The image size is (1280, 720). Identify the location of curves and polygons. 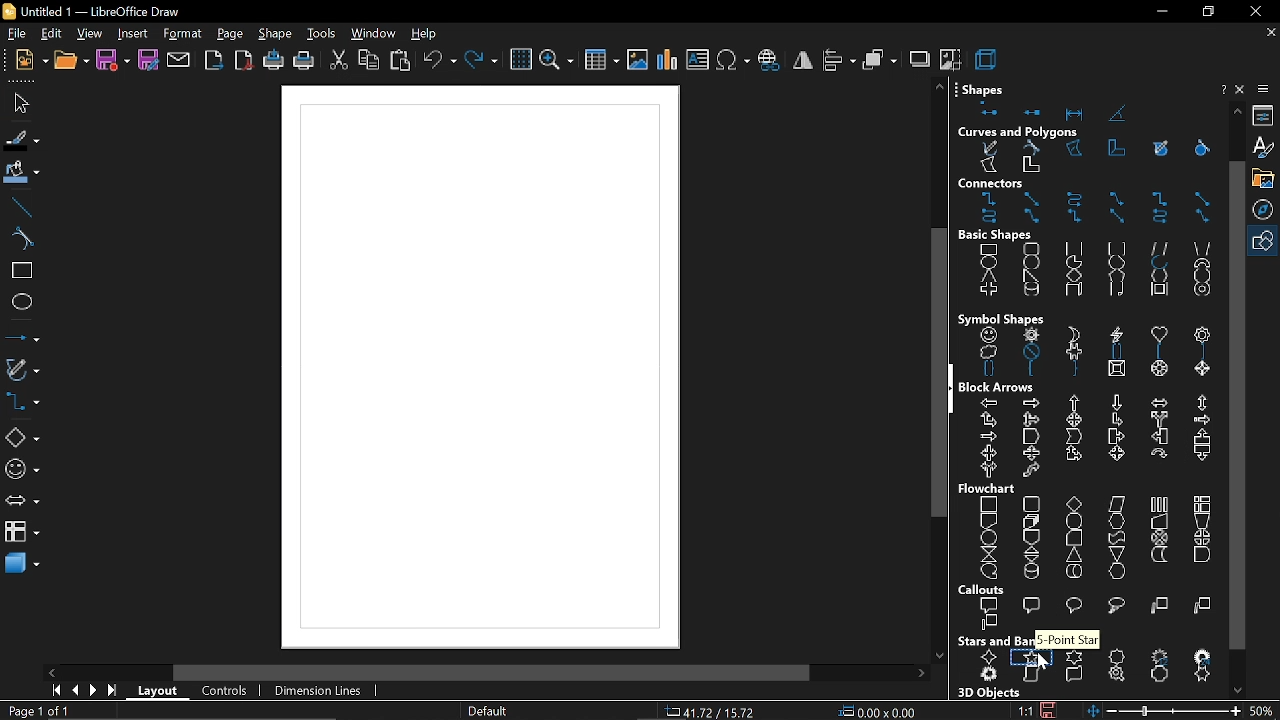
(1085, 157).